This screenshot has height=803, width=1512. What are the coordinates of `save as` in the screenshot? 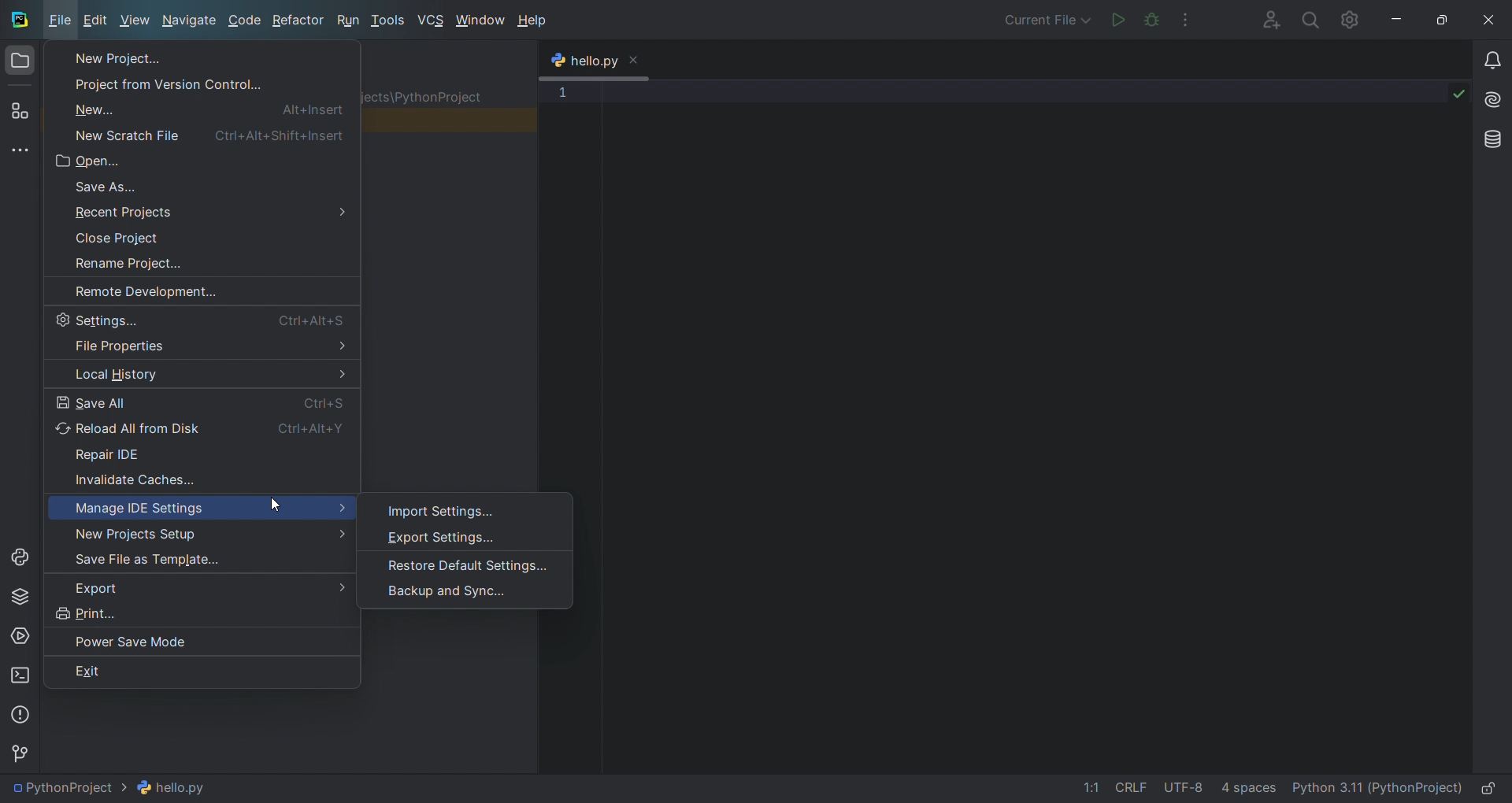 It's located at (202, 185).